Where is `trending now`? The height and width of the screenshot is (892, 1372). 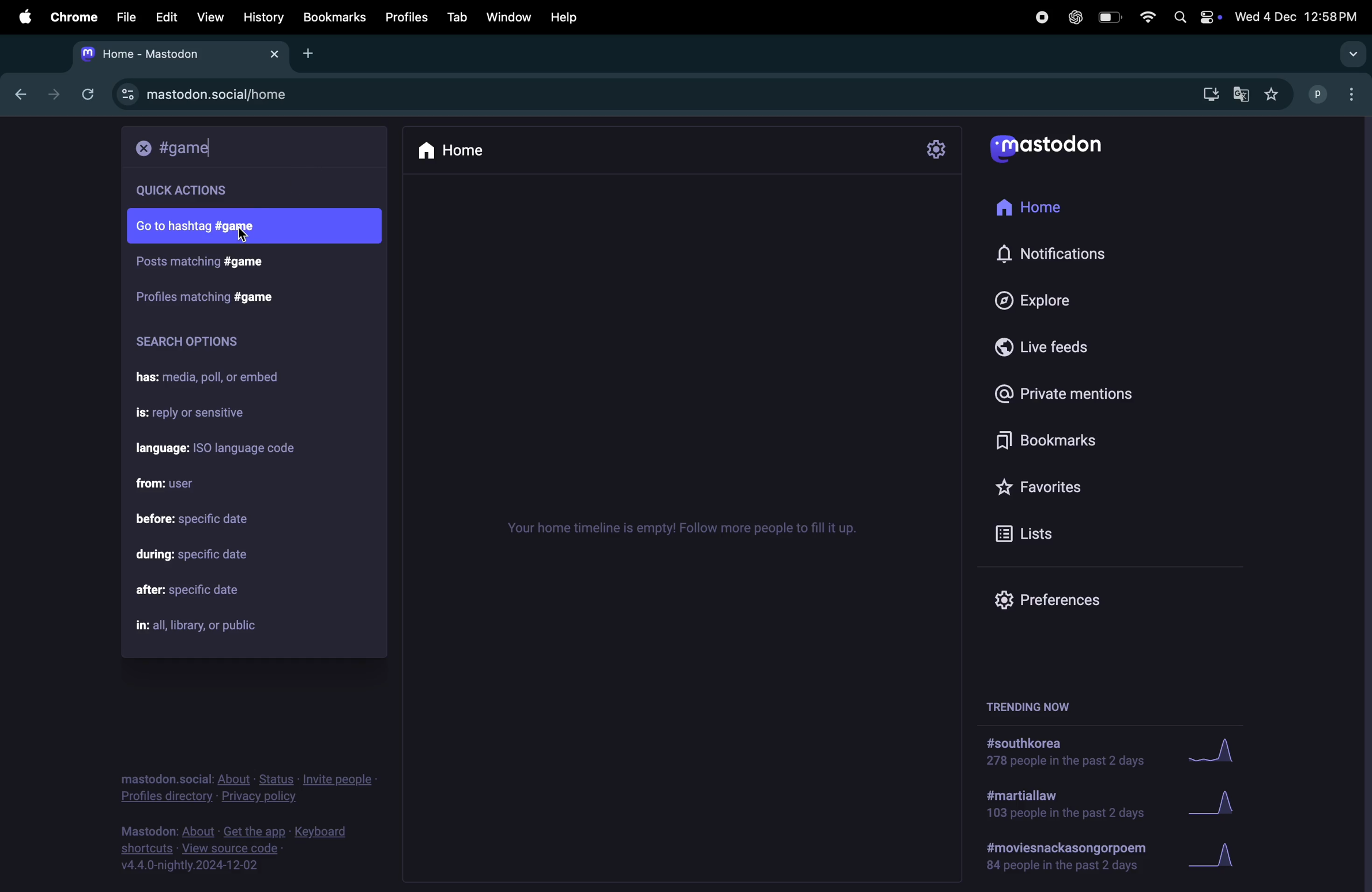 trending now is located at coordinates (1026, 705).